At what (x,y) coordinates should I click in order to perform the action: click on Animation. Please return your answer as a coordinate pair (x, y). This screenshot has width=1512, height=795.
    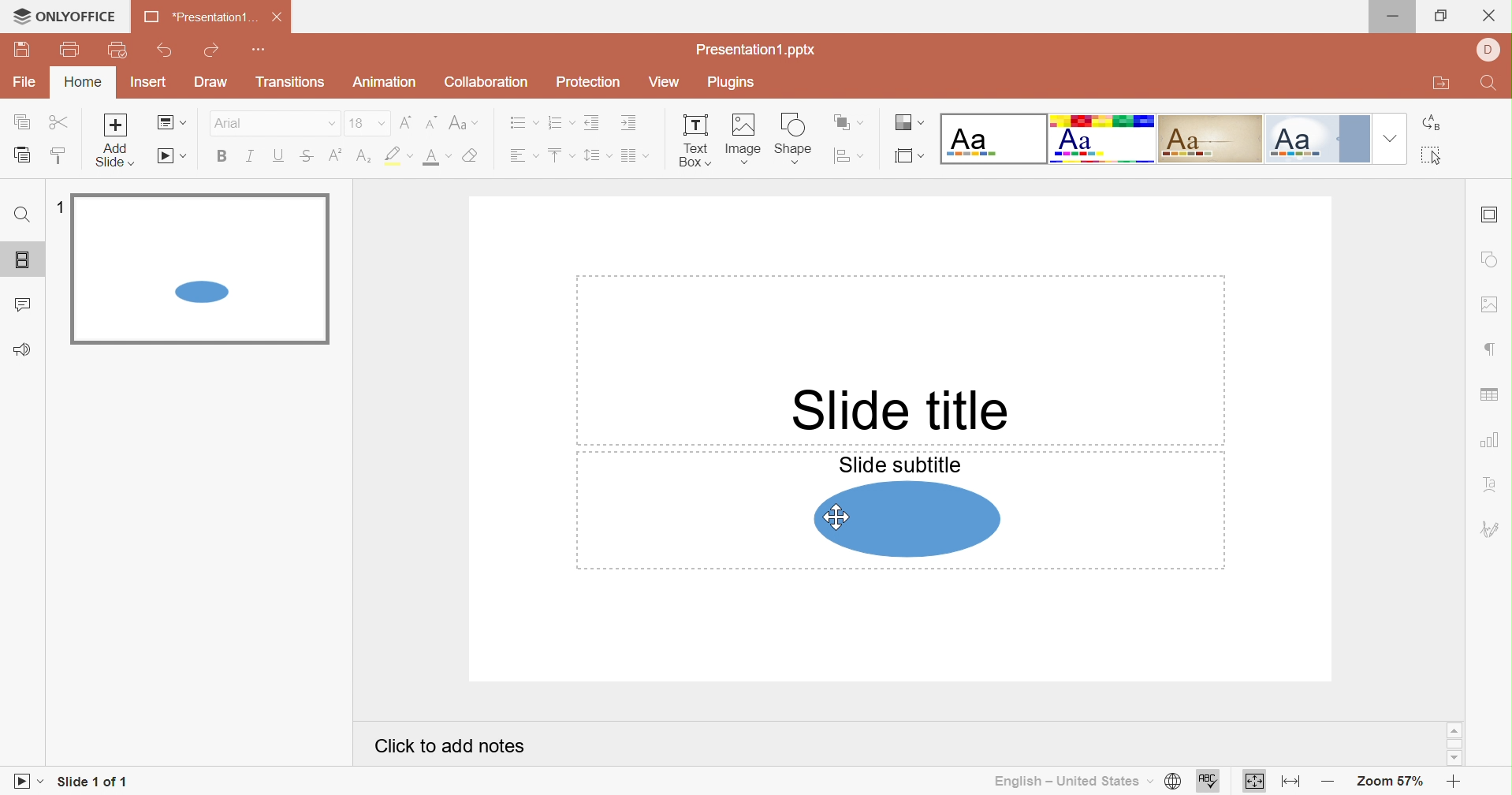
    Looking at the image, I should click on (386, 82).